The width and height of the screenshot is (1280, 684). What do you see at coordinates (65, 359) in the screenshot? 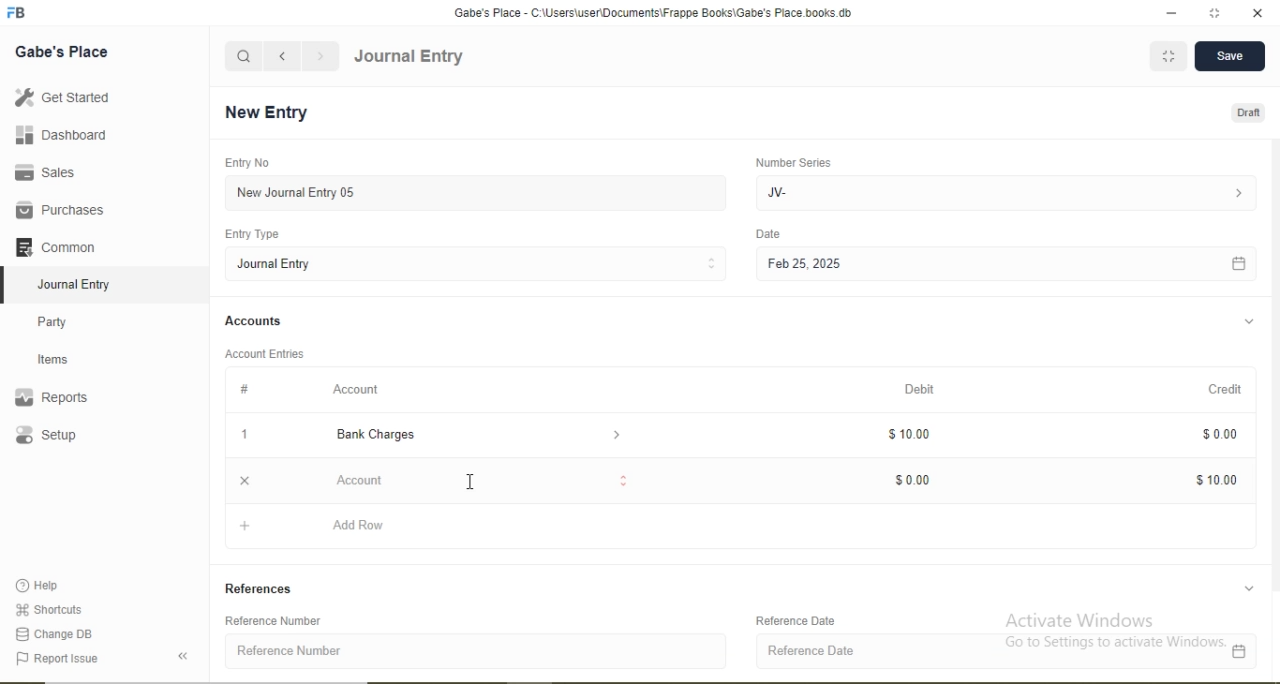
I see `Items` at bounding box center [65, 359].